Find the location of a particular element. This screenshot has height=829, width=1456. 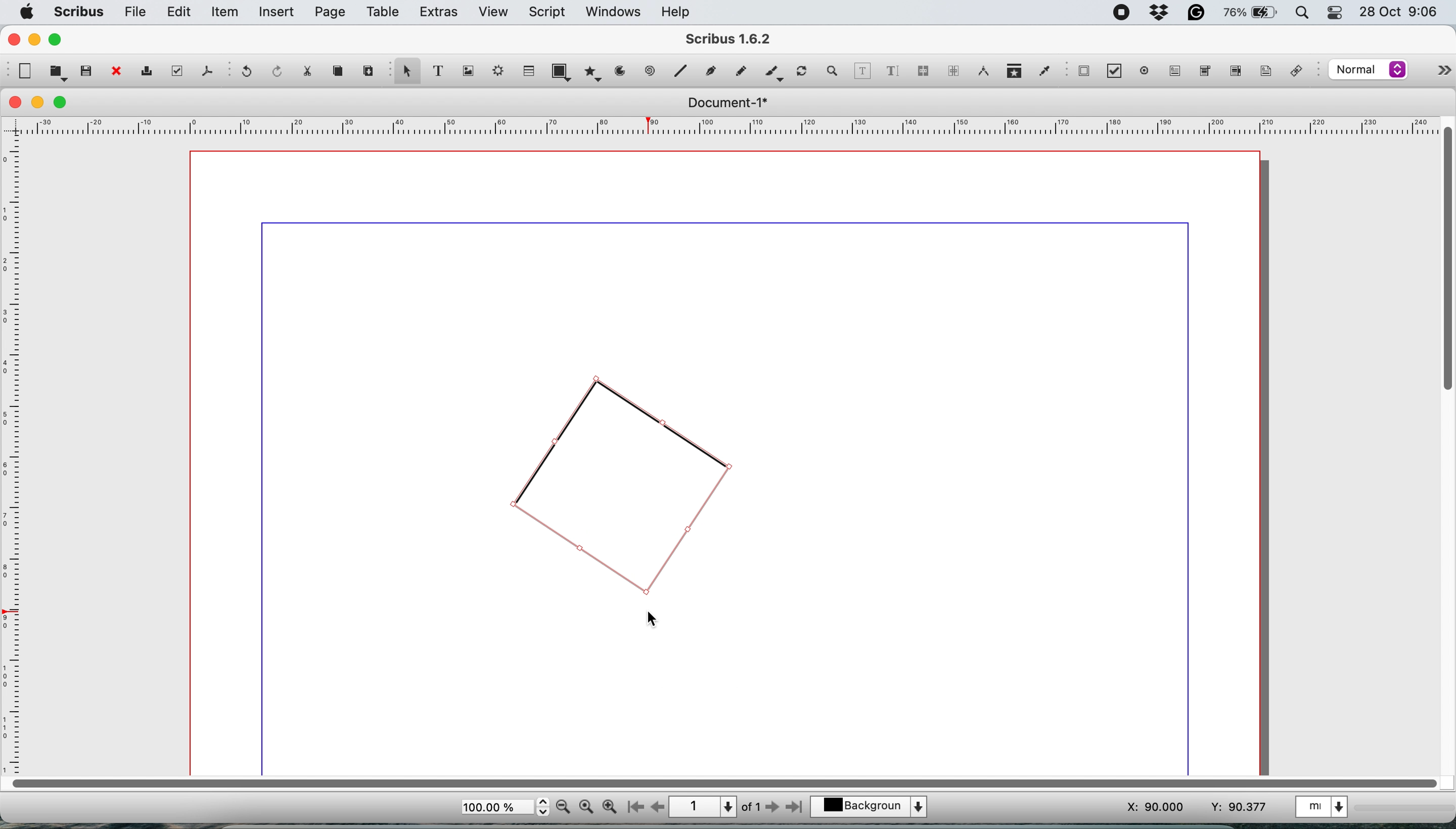

close is located at coordinates (16, 103).